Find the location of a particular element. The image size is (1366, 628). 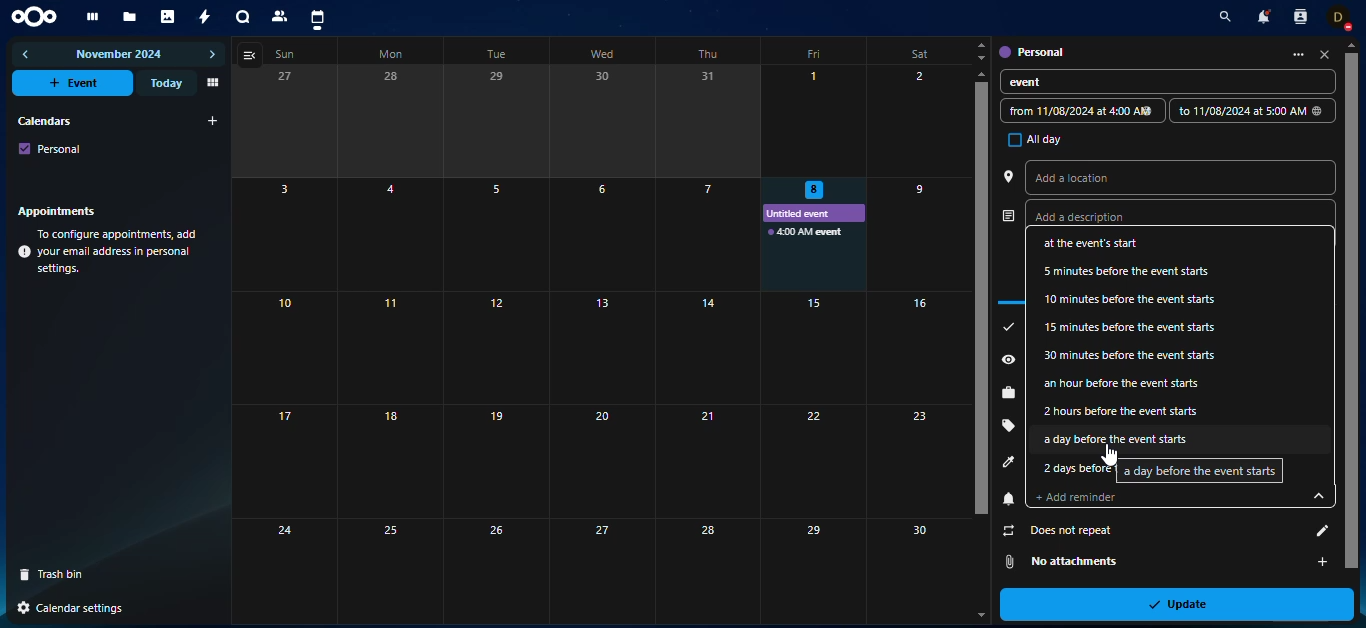

previous is located at coordinates (27, 54).